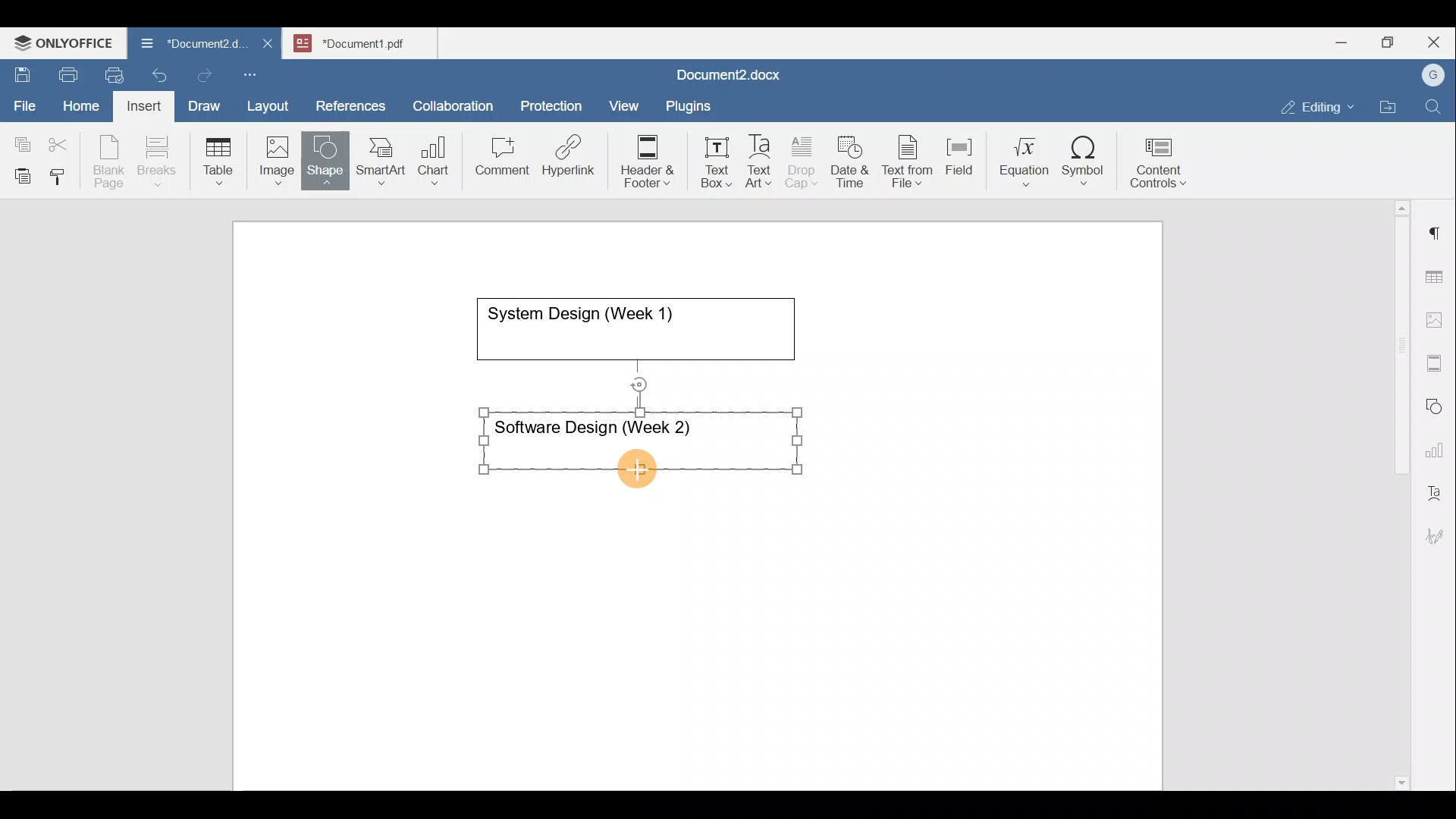 The width and height of the screenshot is (1456, 819). I want to click on Print file, so click(65, 72).